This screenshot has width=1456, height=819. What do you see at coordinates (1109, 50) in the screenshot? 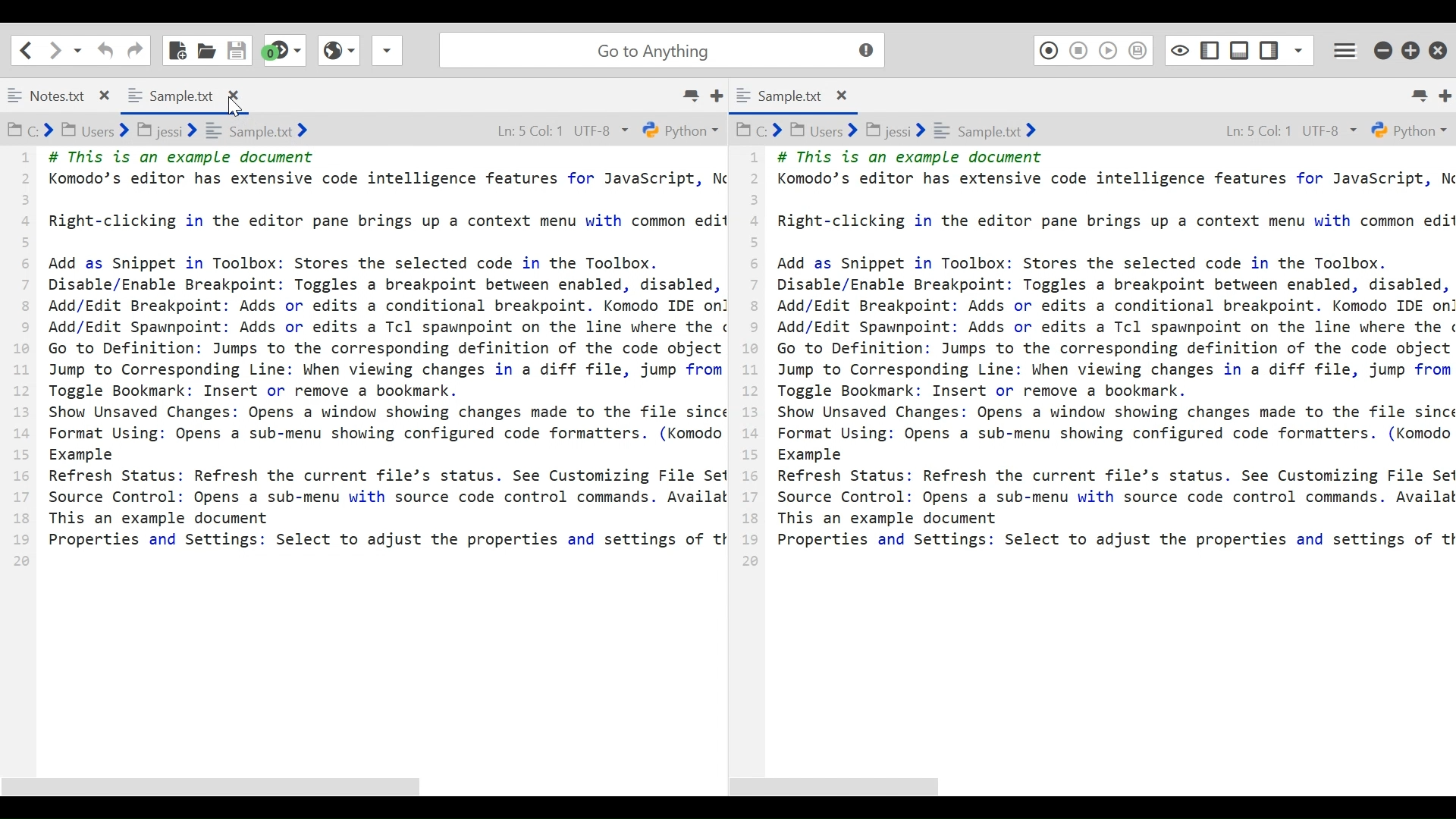
I see `Play Last Macro` at bounding box center [1109, 50].